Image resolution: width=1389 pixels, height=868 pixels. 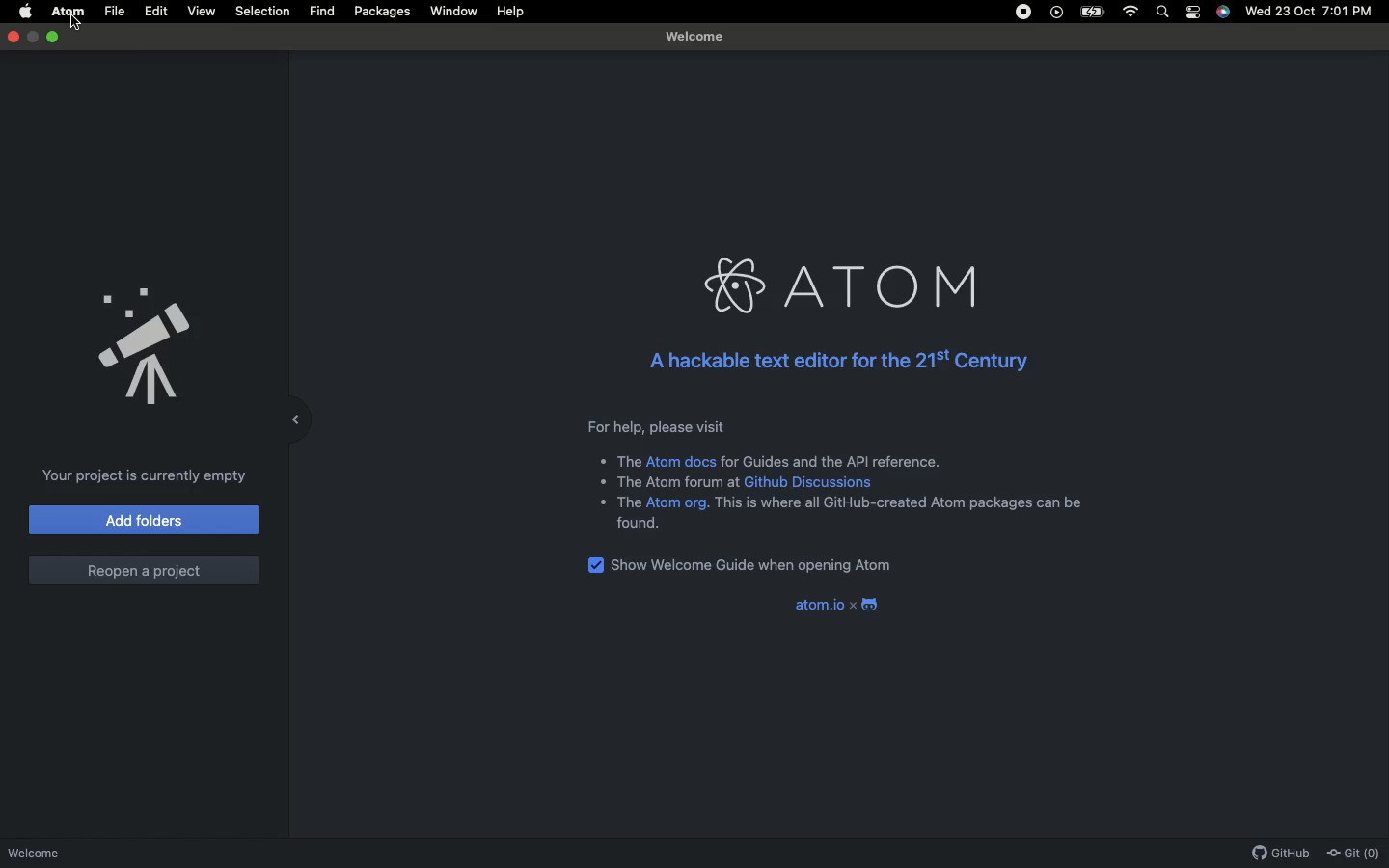 What do you see at coordinates (836, 606) in the screenshot?
I see `Atom.io x Atom logo` at bounding box center [836, 606].